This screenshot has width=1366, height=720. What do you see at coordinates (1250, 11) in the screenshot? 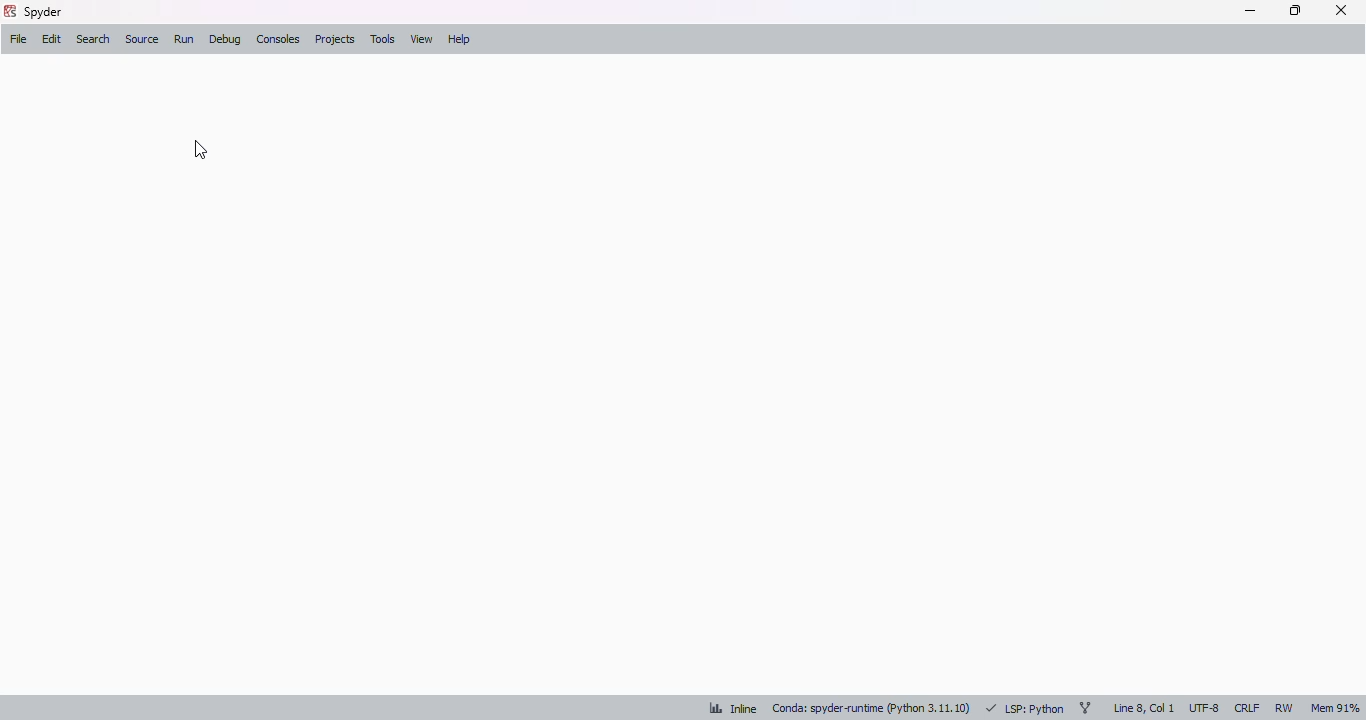
I see `minimize` at bounding box center [1250, 11].